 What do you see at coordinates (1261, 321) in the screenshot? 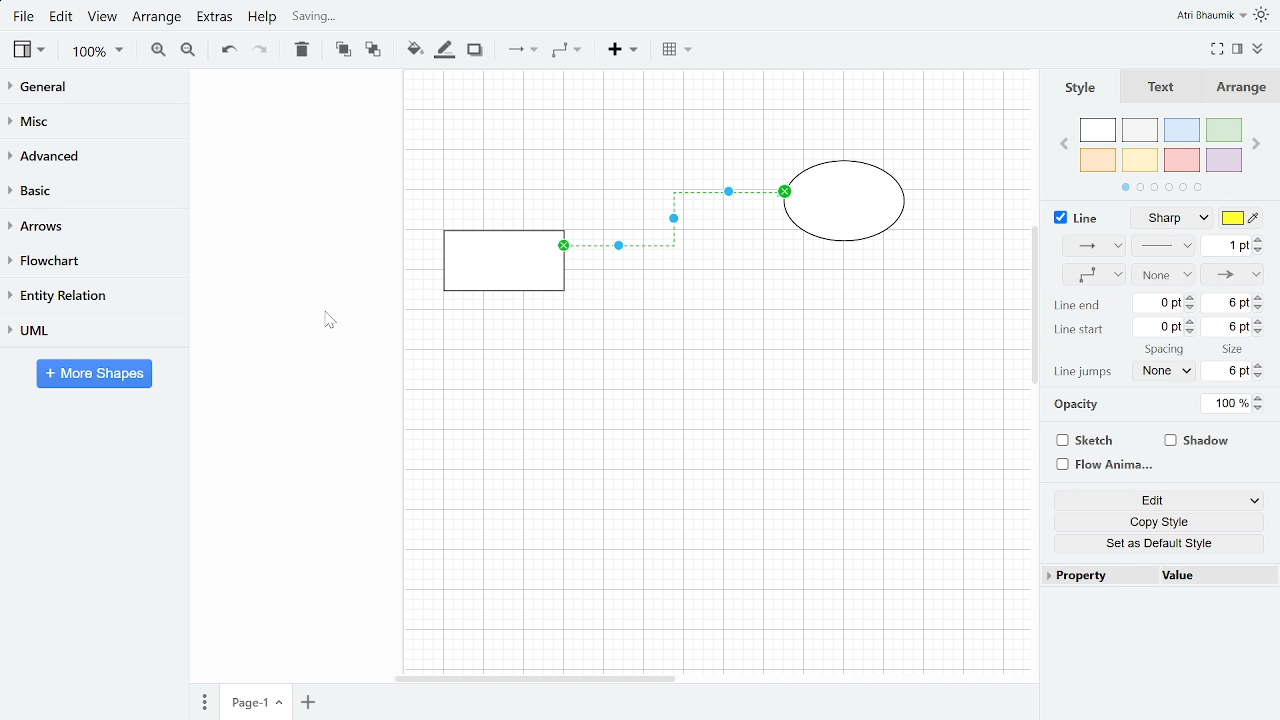
I see `Increase line start size` at bounding box center [1261, 321].